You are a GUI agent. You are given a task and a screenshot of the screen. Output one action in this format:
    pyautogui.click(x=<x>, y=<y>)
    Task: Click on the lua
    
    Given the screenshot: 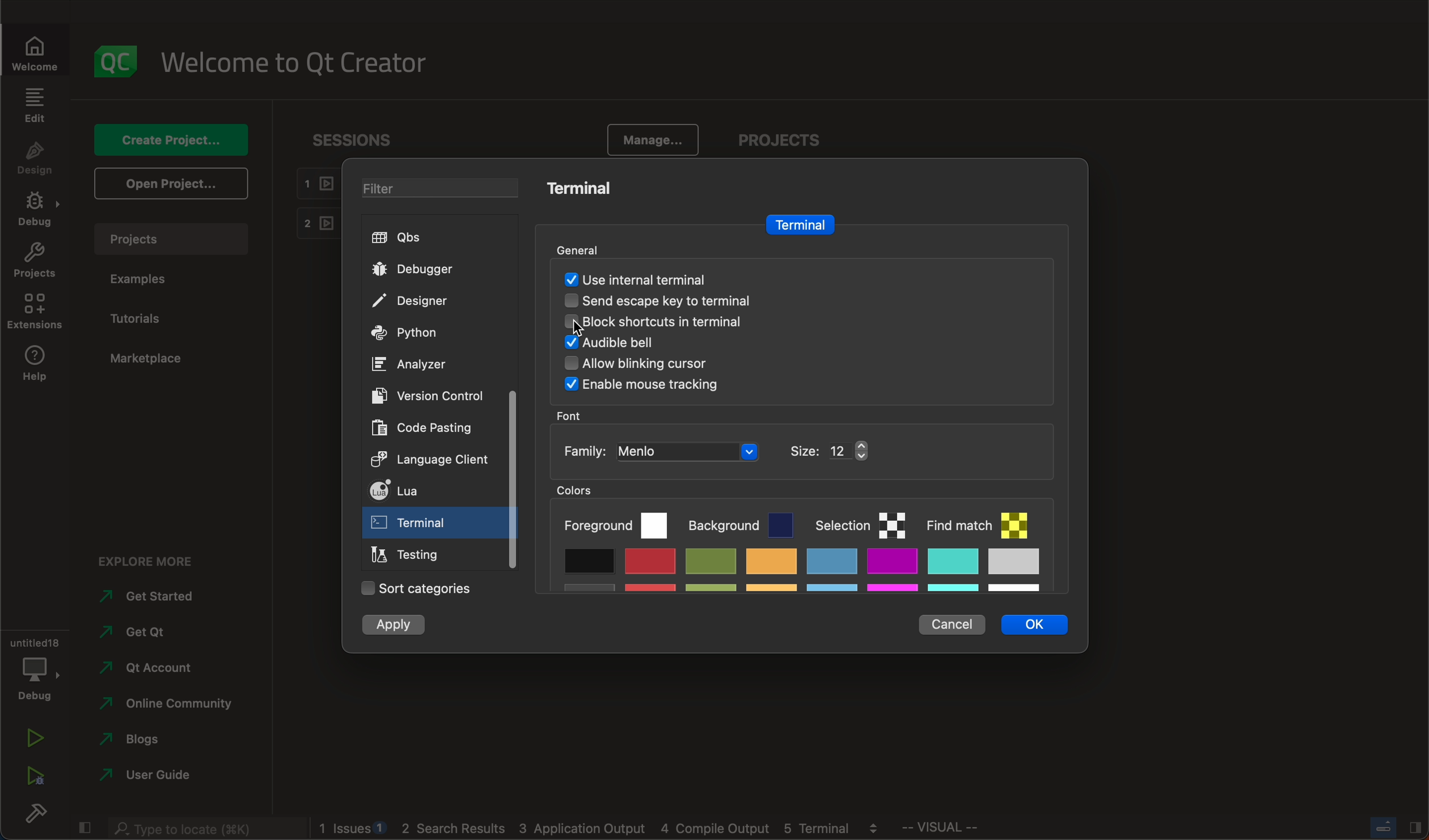 What is the action you would take?
    pyautogui.click(x=429, y=490)
    